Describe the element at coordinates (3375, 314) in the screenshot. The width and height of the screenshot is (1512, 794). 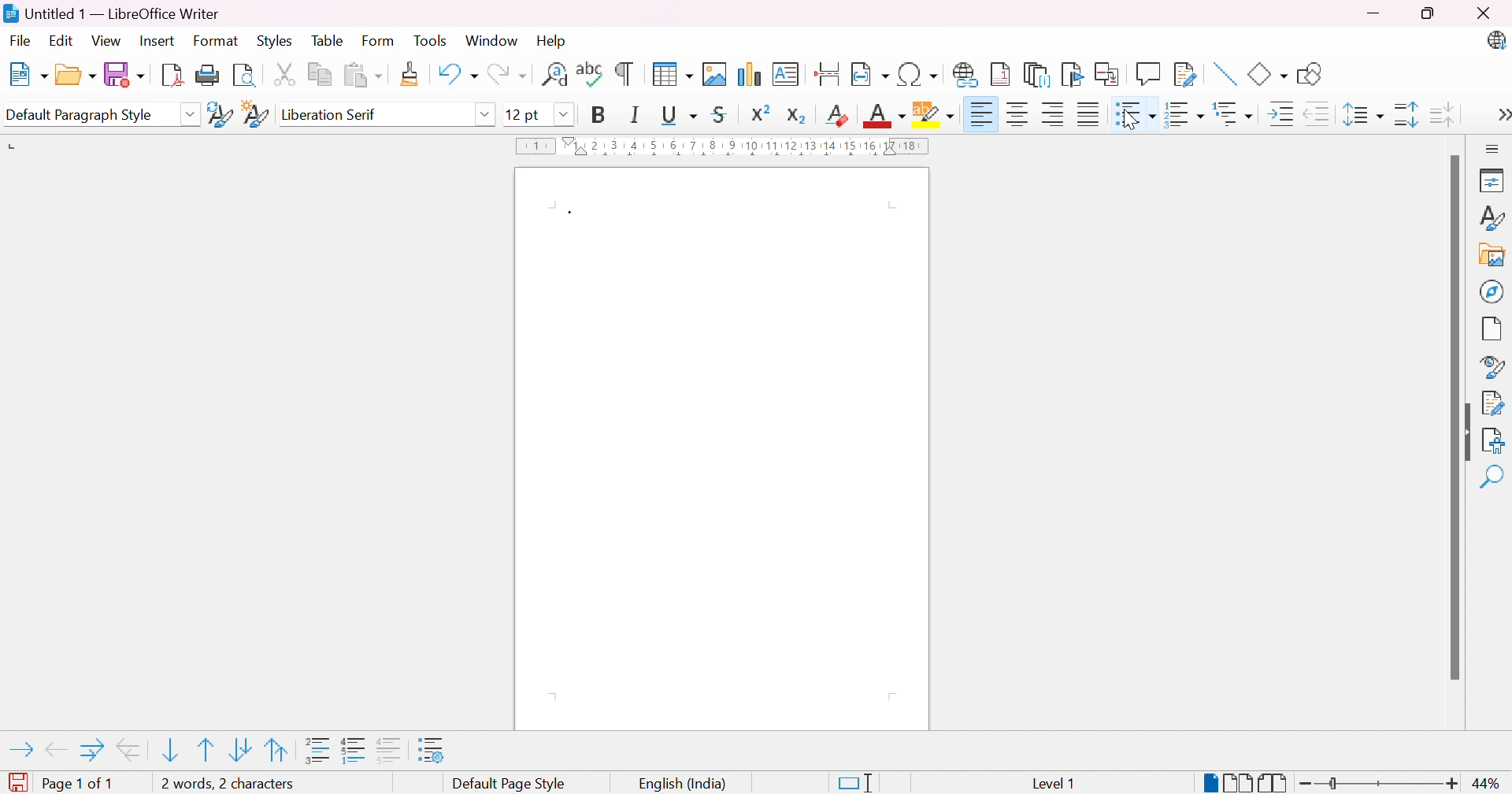
I see `Toggle unordered list` at that location.